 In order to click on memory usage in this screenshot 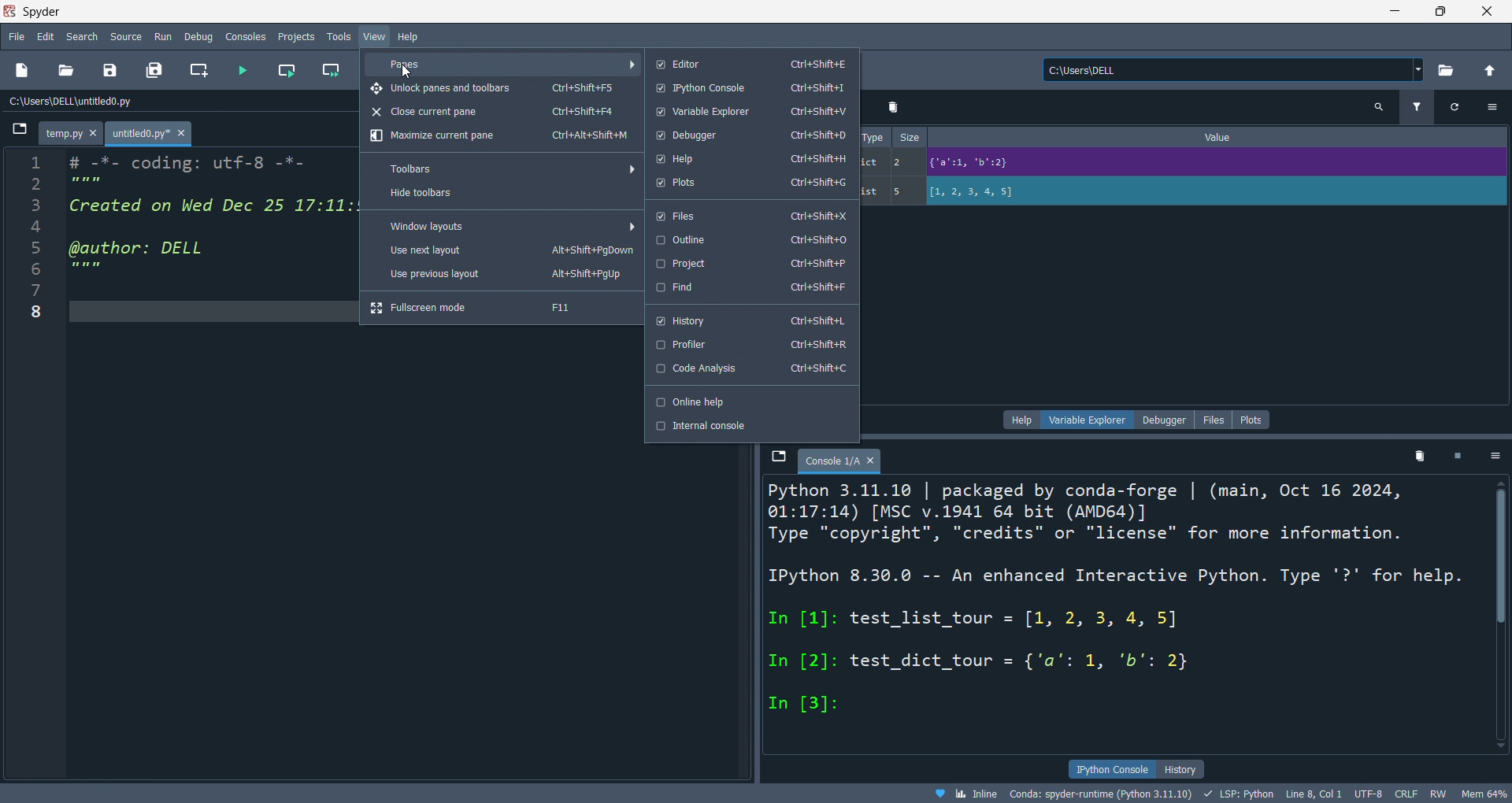, I will do `click(1484, 794)`.